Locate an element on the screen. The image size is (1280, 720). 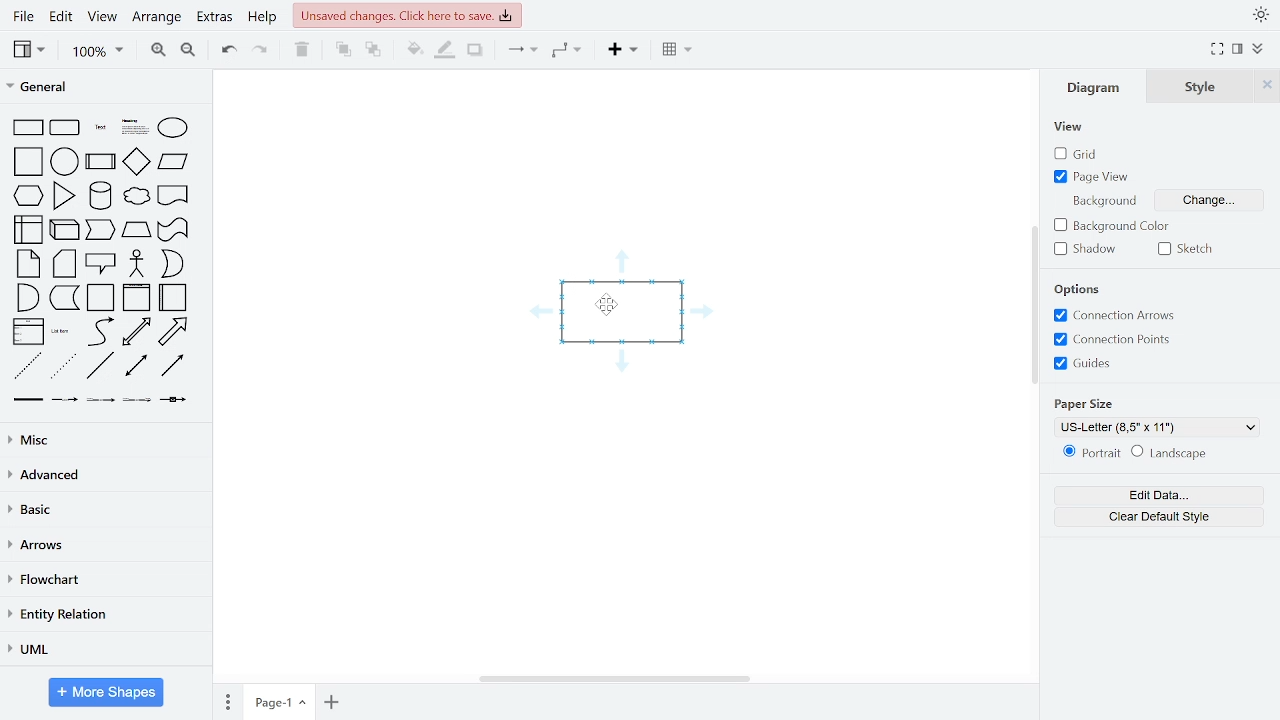
hexagon is located at coordinates (27, 195).